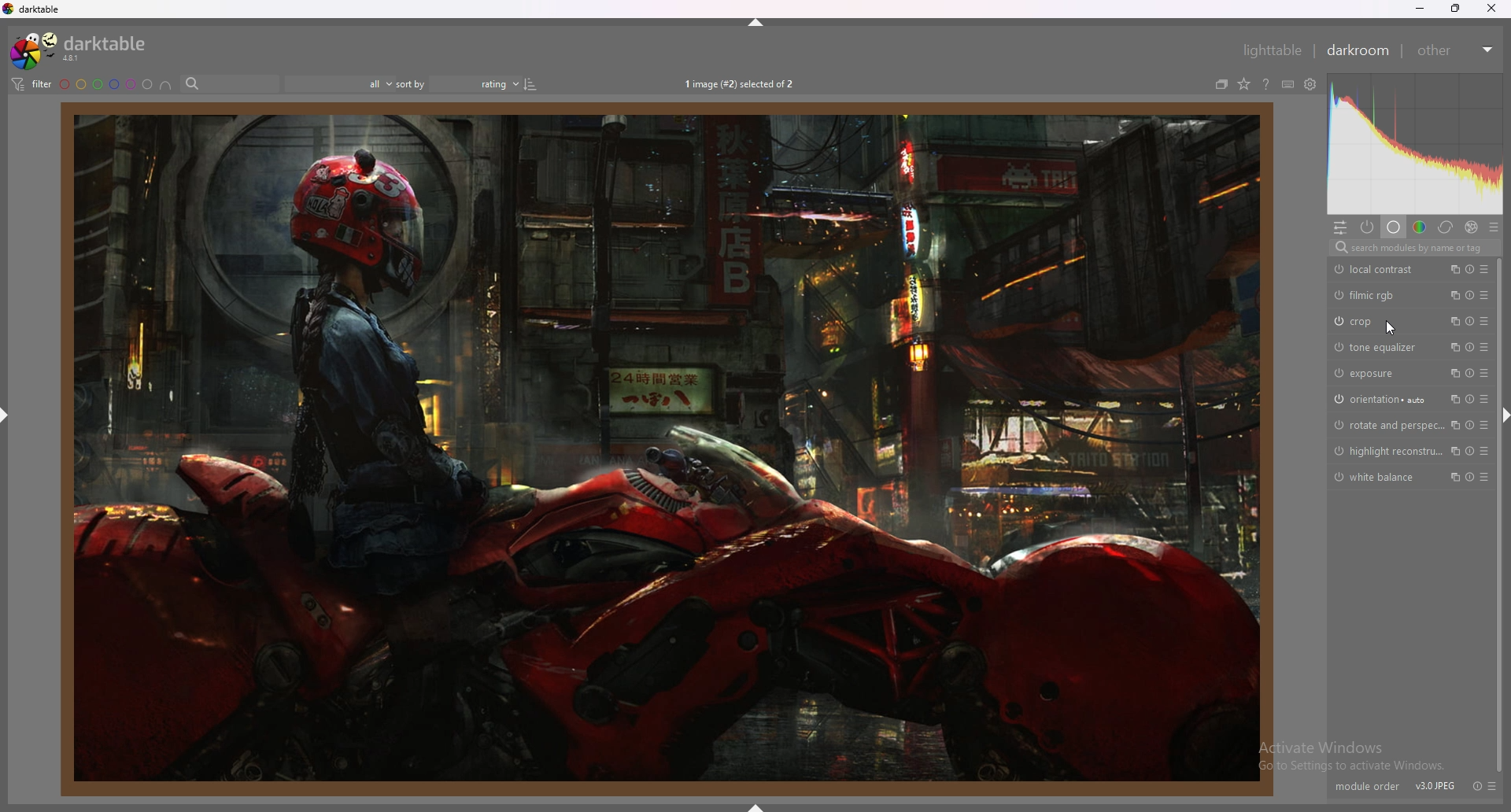  Describe the element at coordinates (1483, 372) in the screenshot. I see `presets` at that location.